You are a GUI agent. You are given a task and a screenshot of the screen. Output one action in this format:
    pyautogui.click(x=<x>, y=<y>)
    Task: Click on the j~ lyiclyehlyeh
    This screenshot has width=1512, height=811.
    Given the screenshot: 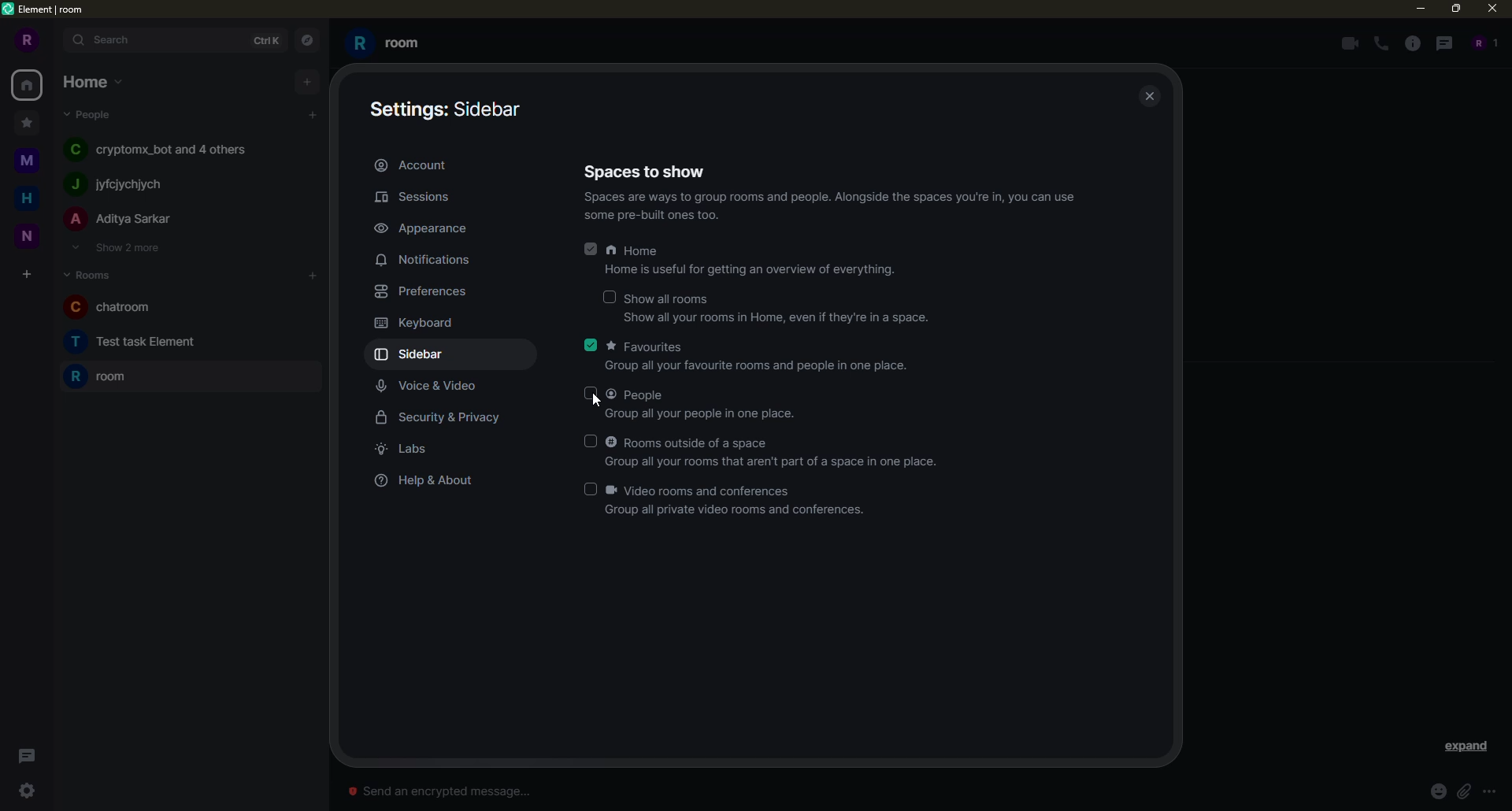 What is the action you would take?
    pyautogui.click(x=150, y=185)
    